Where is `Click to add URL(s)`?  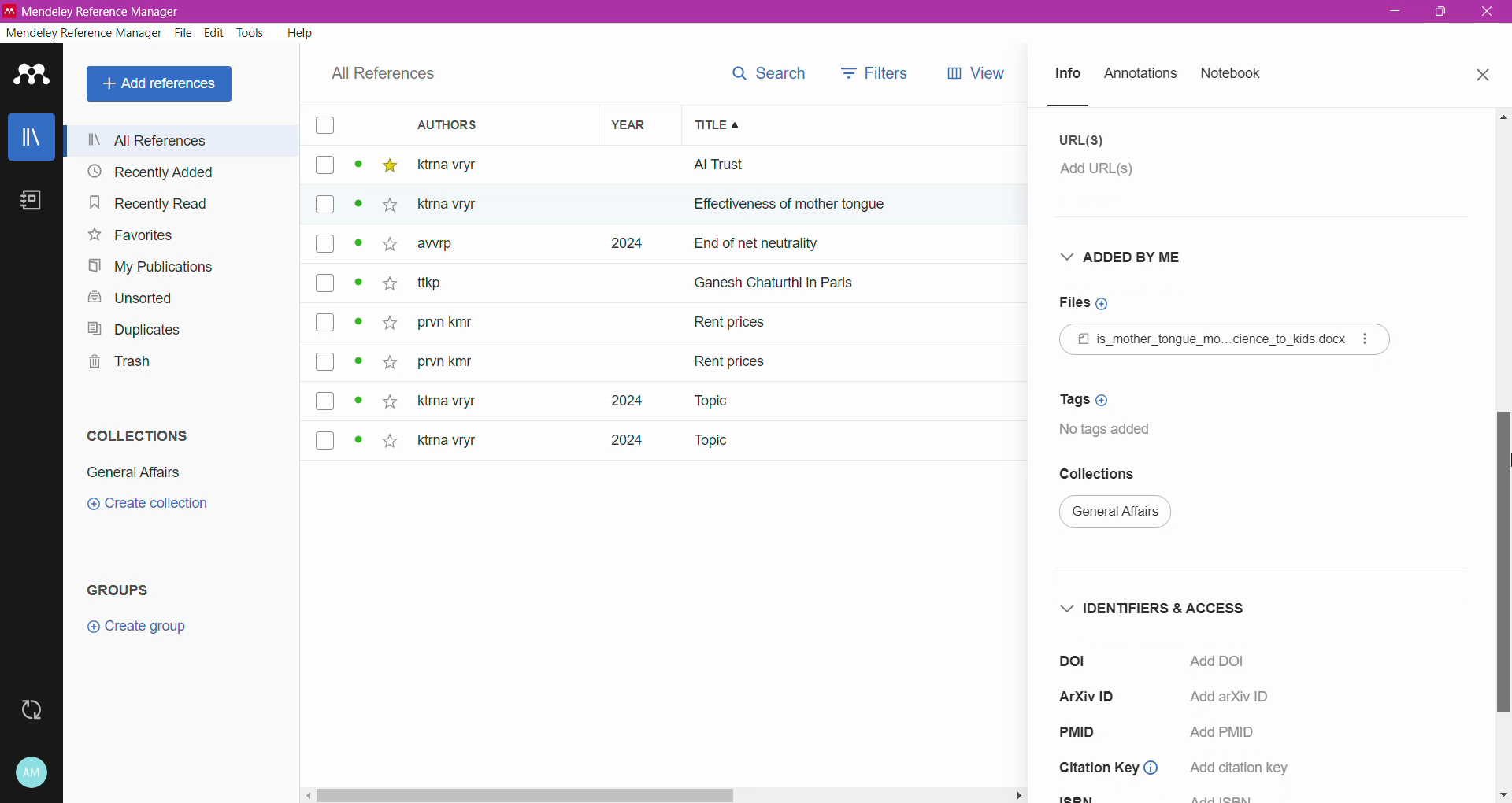 Click to add URL(s) is located at coordinates (1107, 173).